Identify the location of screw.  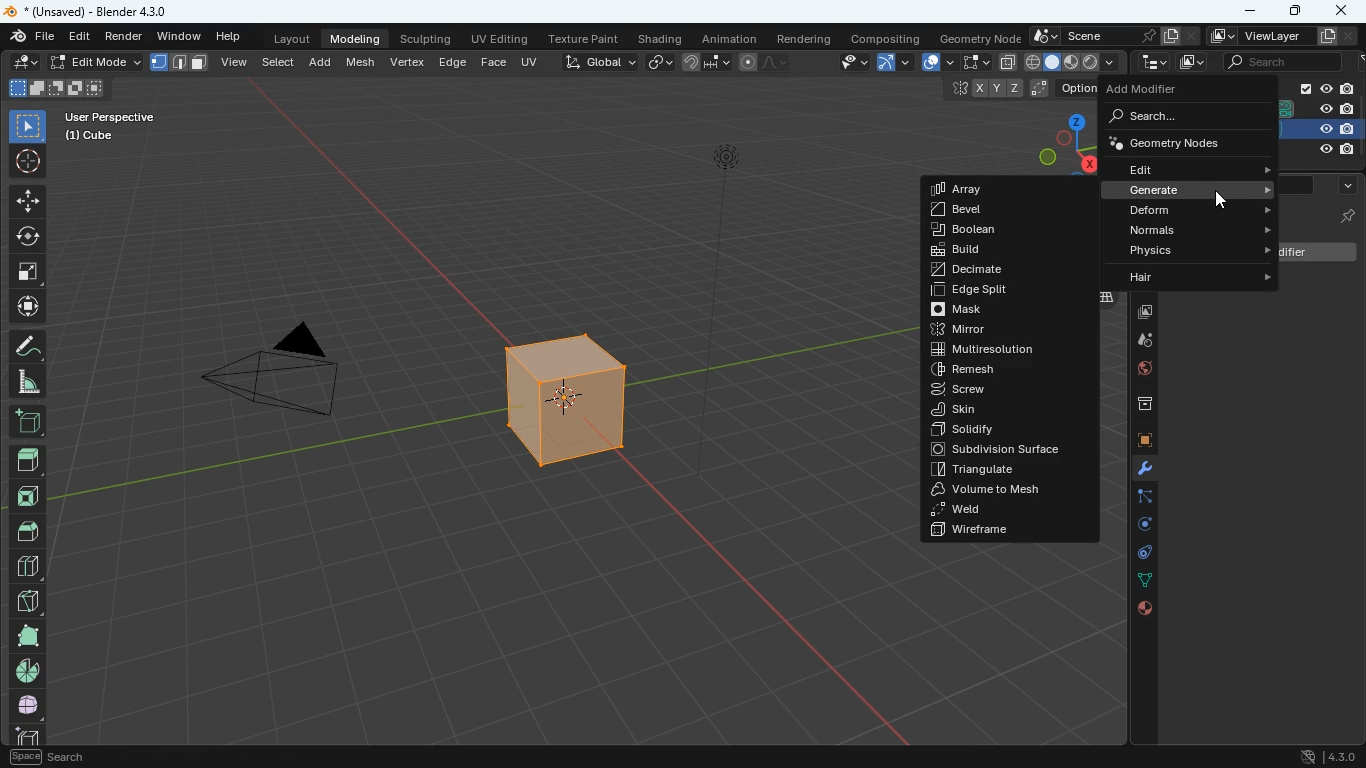
(999, 391).